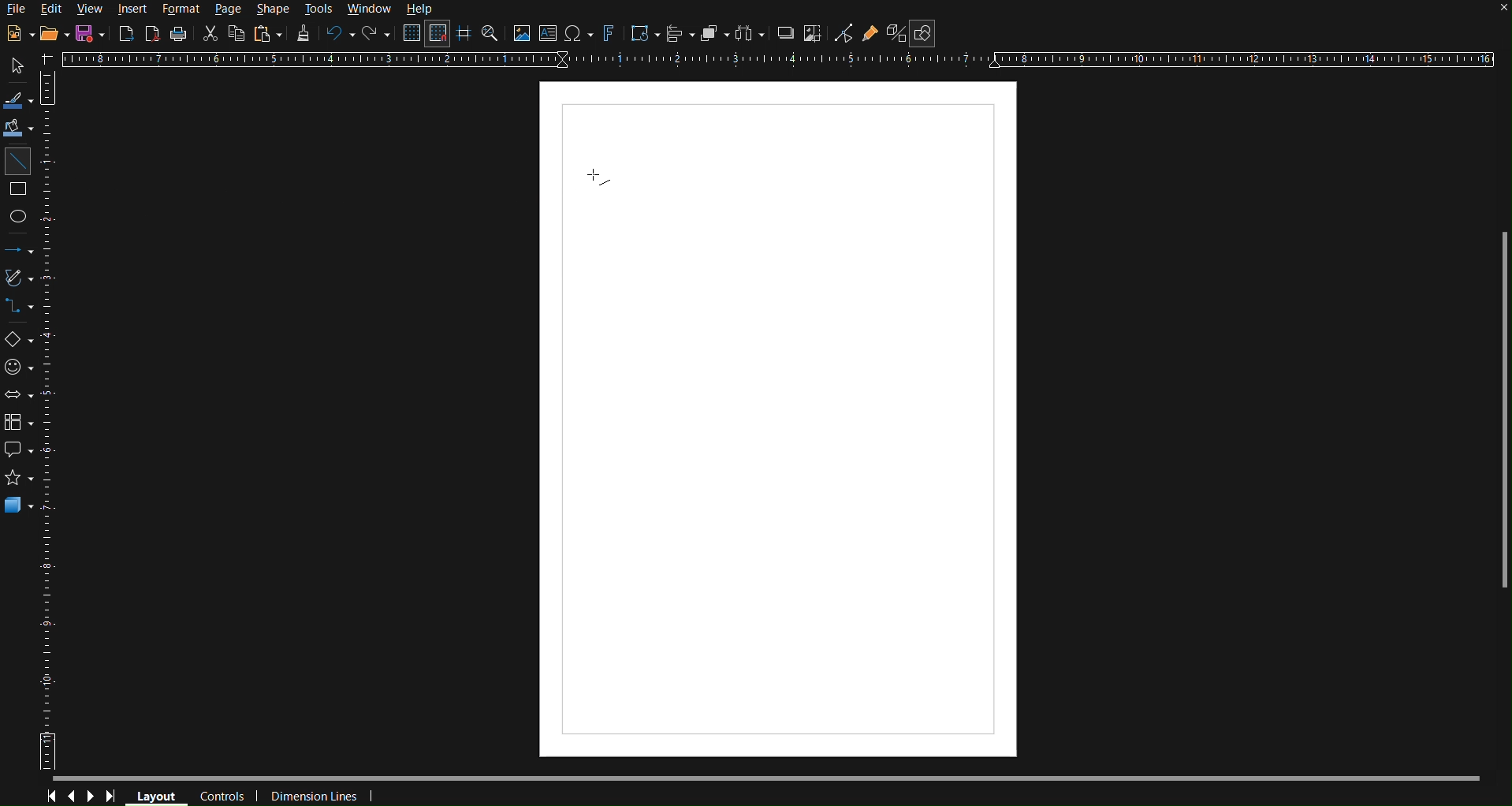 This screenshot has width=1512, height=806. What do you see at coordinates (520, 34) in the screenshot?
I see `Insert image` at bounding box center [520, 34].